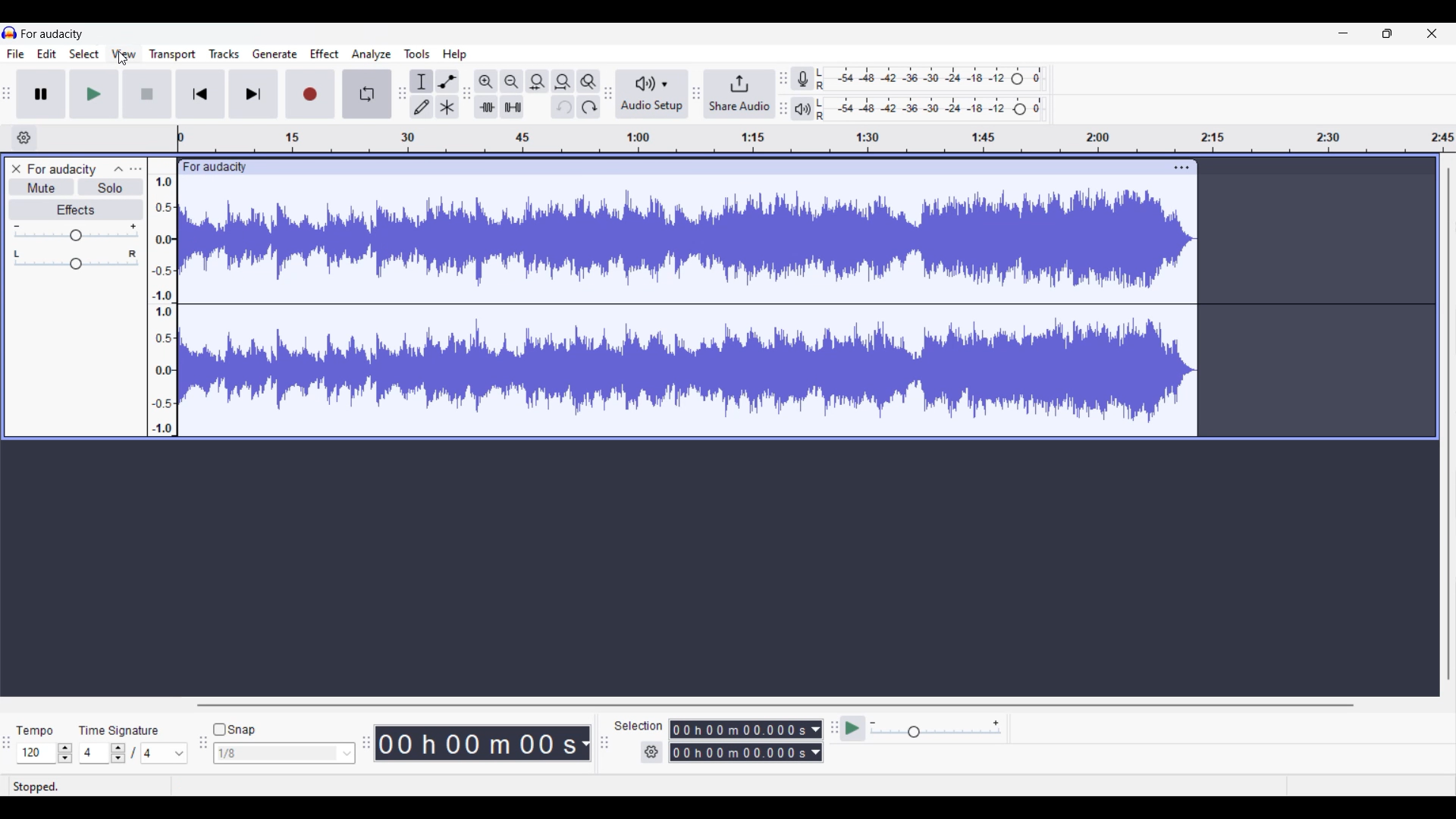 The width and height of the screenshot is (1456, 819). What do you see at coordinates (803, 108) in the screenshot?
I see `Playback meter` at bounding box center [803, 108].